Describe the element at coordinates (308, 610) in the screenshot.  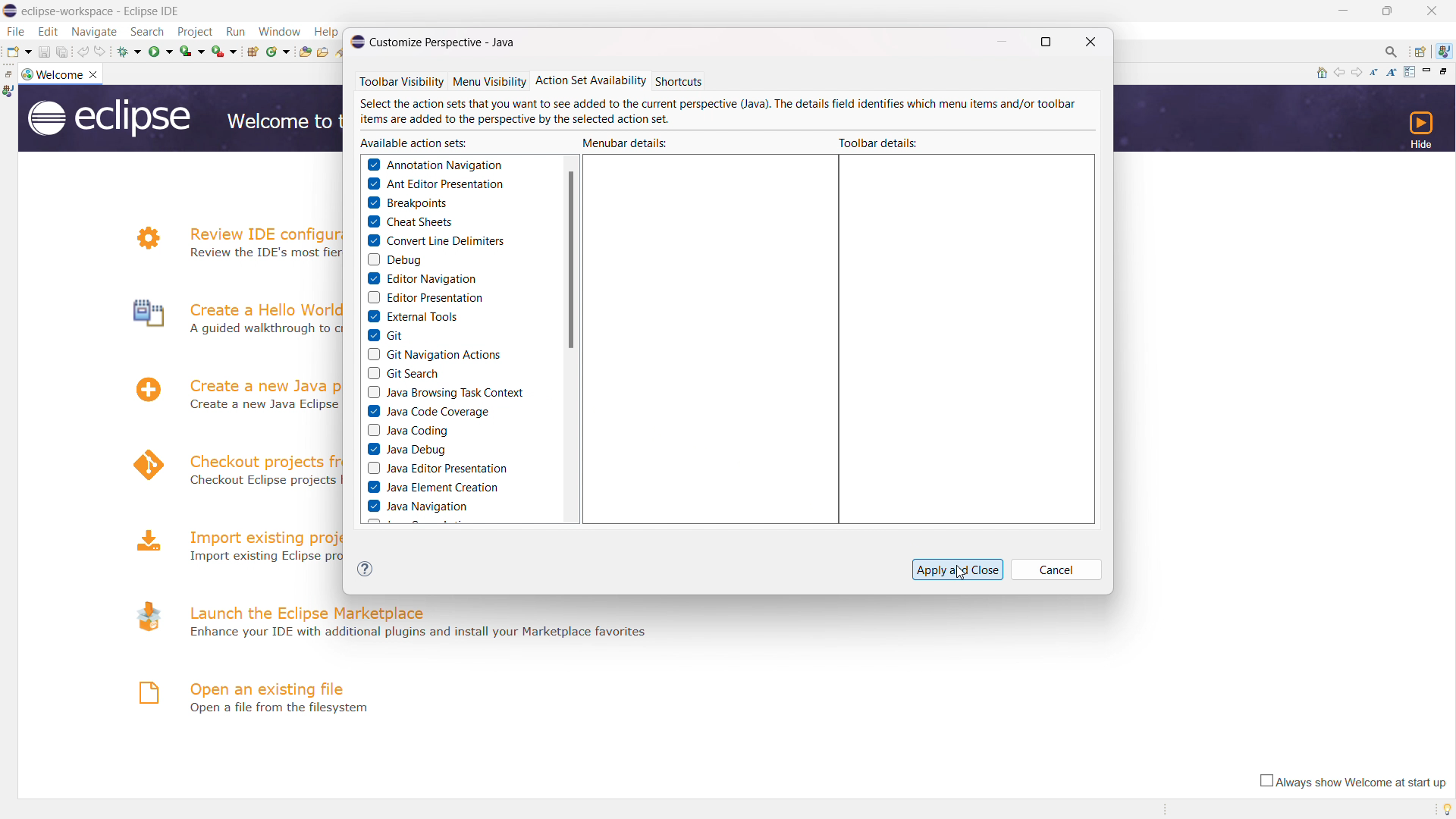
I see `launch the eclipse marketplace` at that location.